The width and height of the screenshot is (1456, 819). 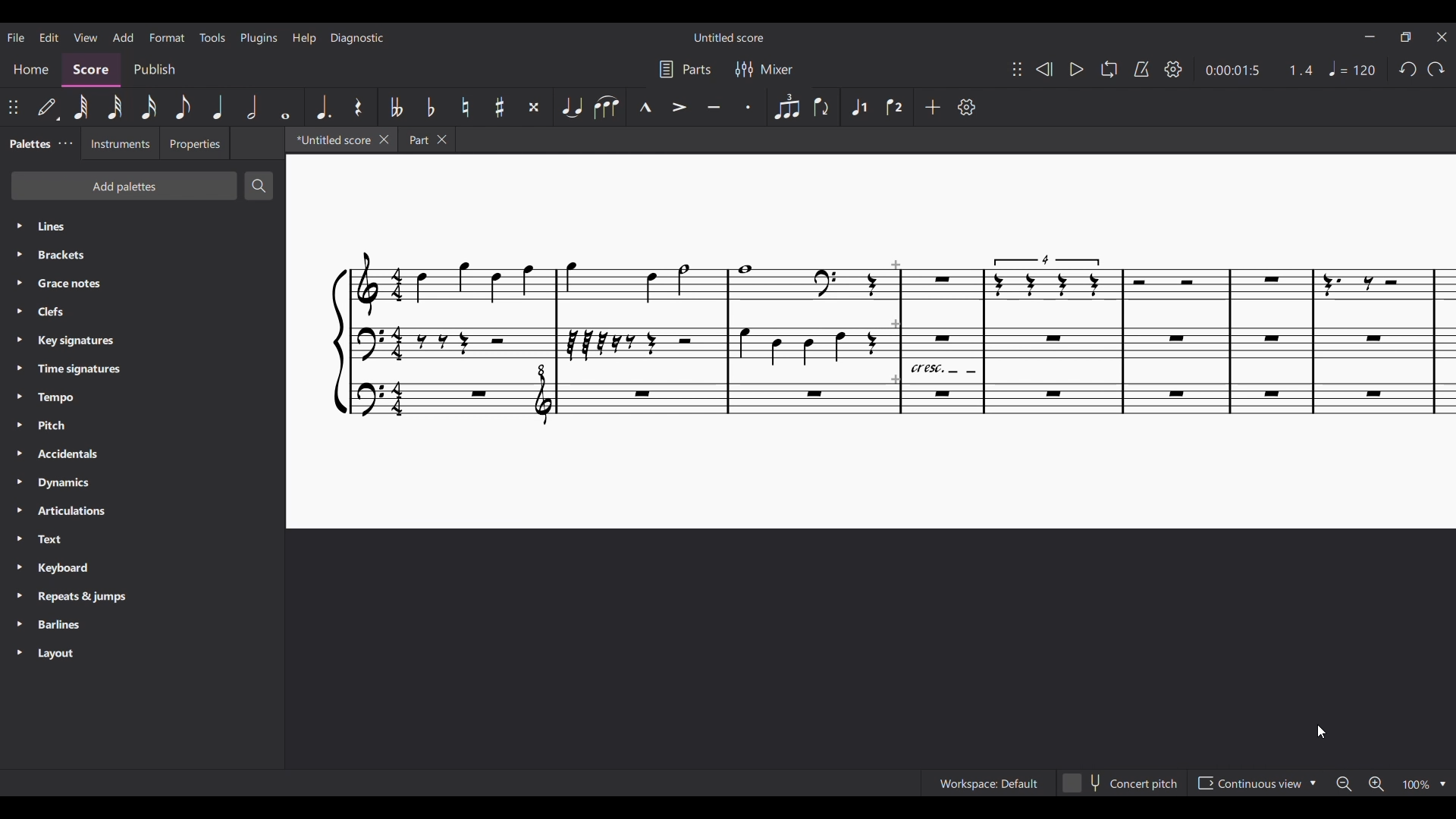 What do you see at coordinates (66, 143) in the screenshot?
I see `Close/Undock Palette tab` at bounding box center [66, 143].